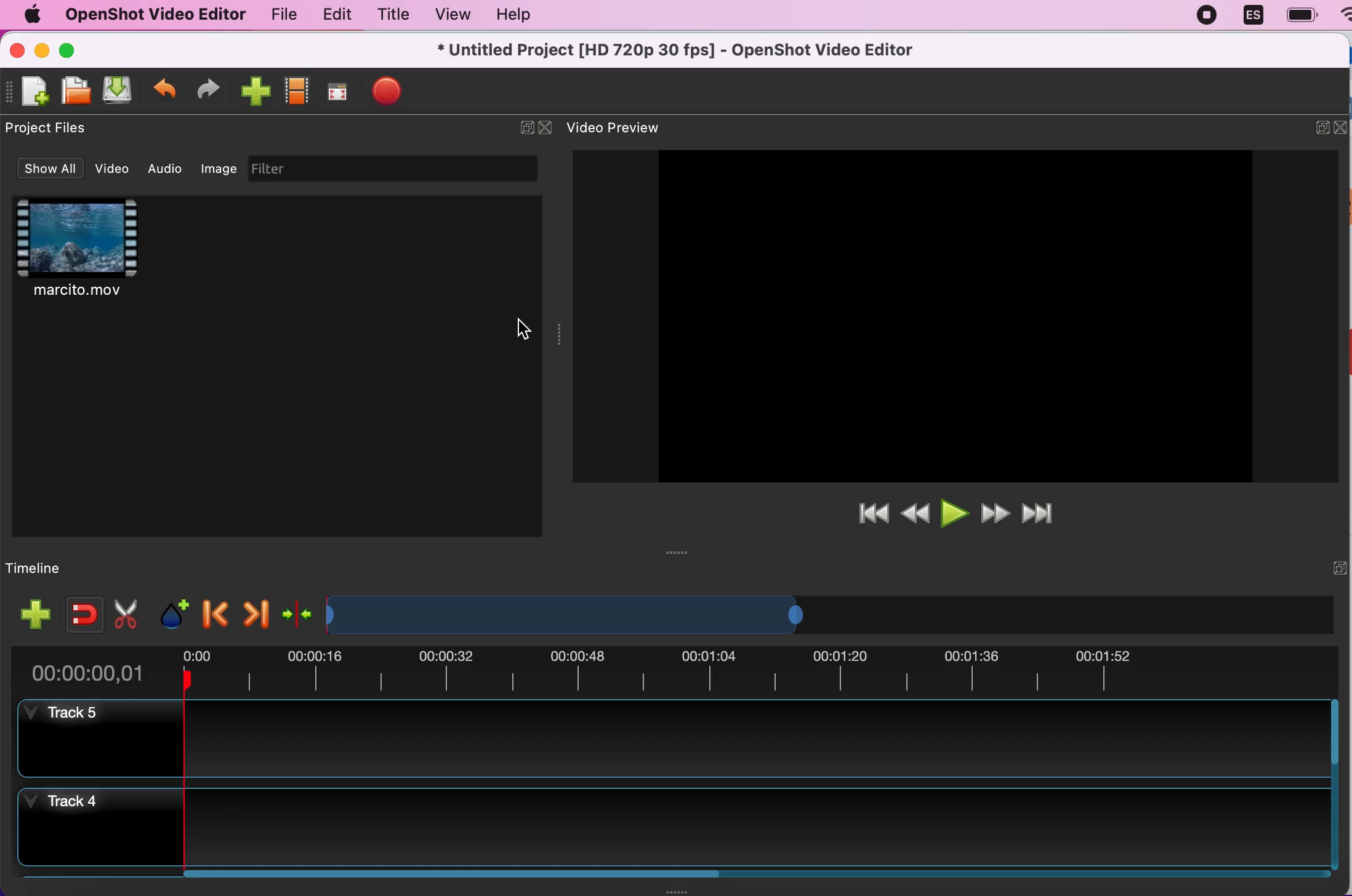  Describe the element at coordinates (1051, 513) in the screenshot. I see `jump to end` at that location.